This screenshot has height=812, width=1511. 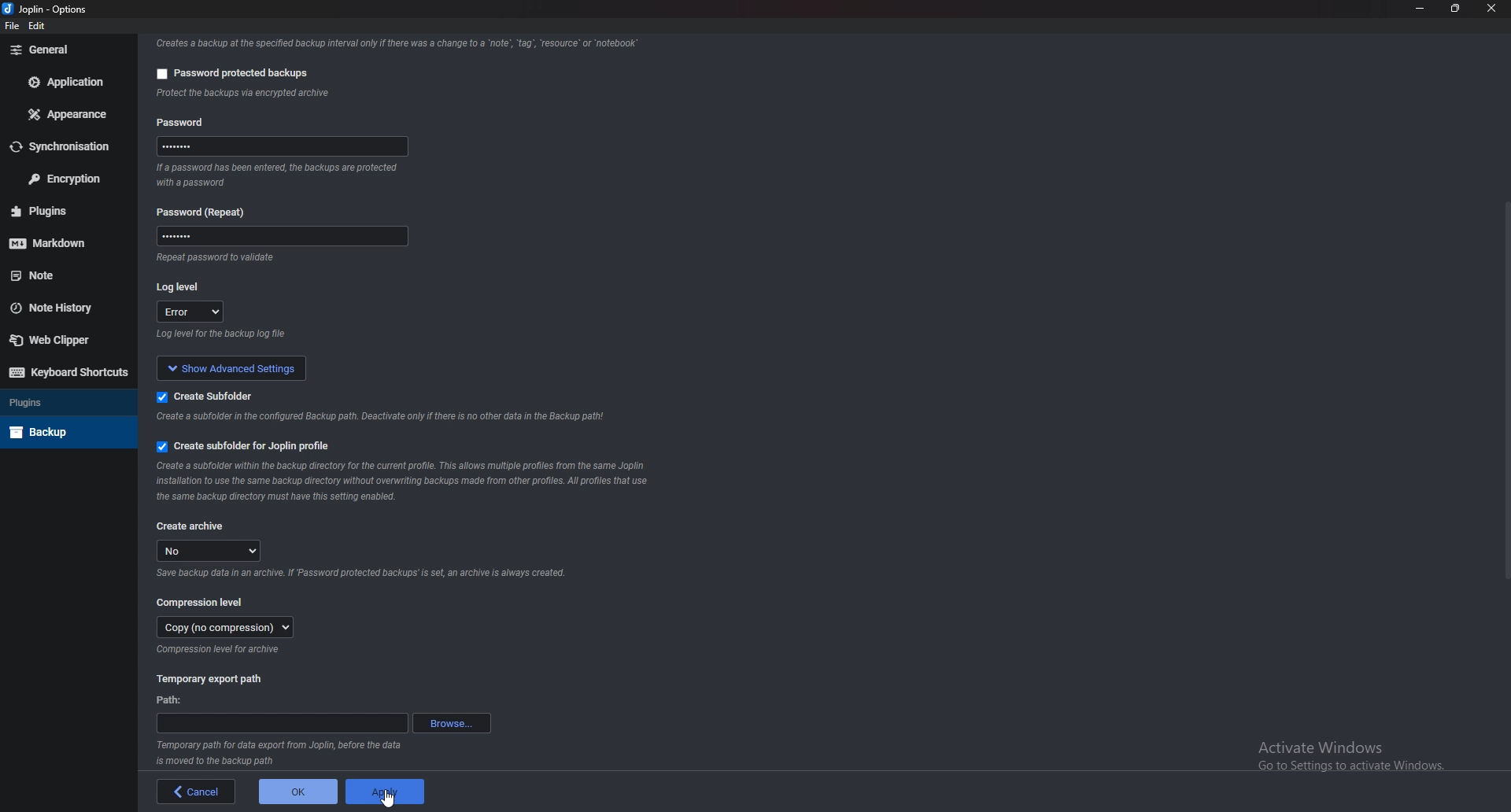 I want to click on Appearance, so click(x=68, y=116).